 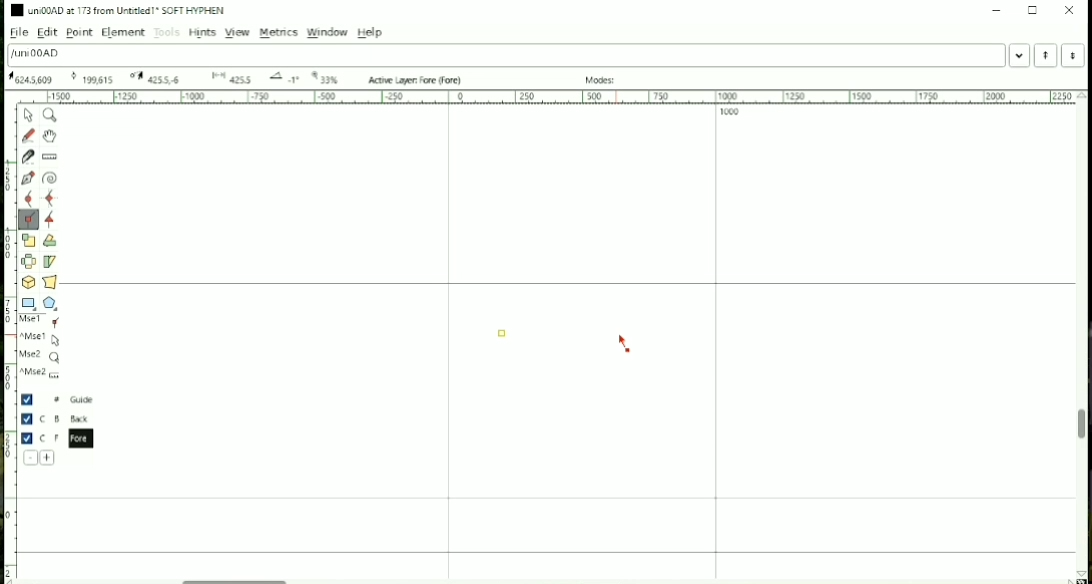 What do you see at coordinates (28, 282) in the screenshot?
I see `Rotate the selection in 3D and project back to plane` at bounding box center [28, 282].